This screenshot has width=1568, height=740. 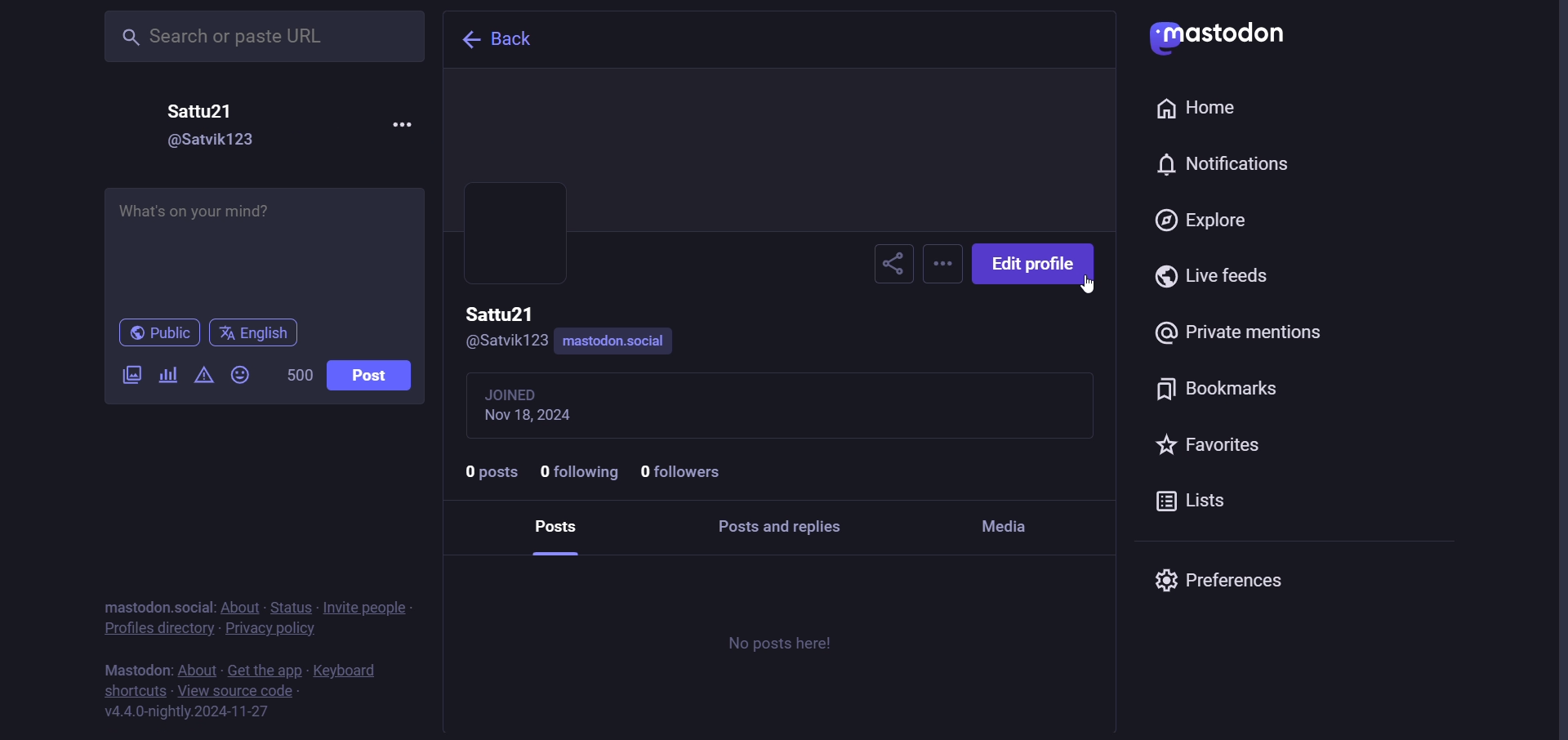 I want to click on @Satvik123, so click(x=210, y=140).